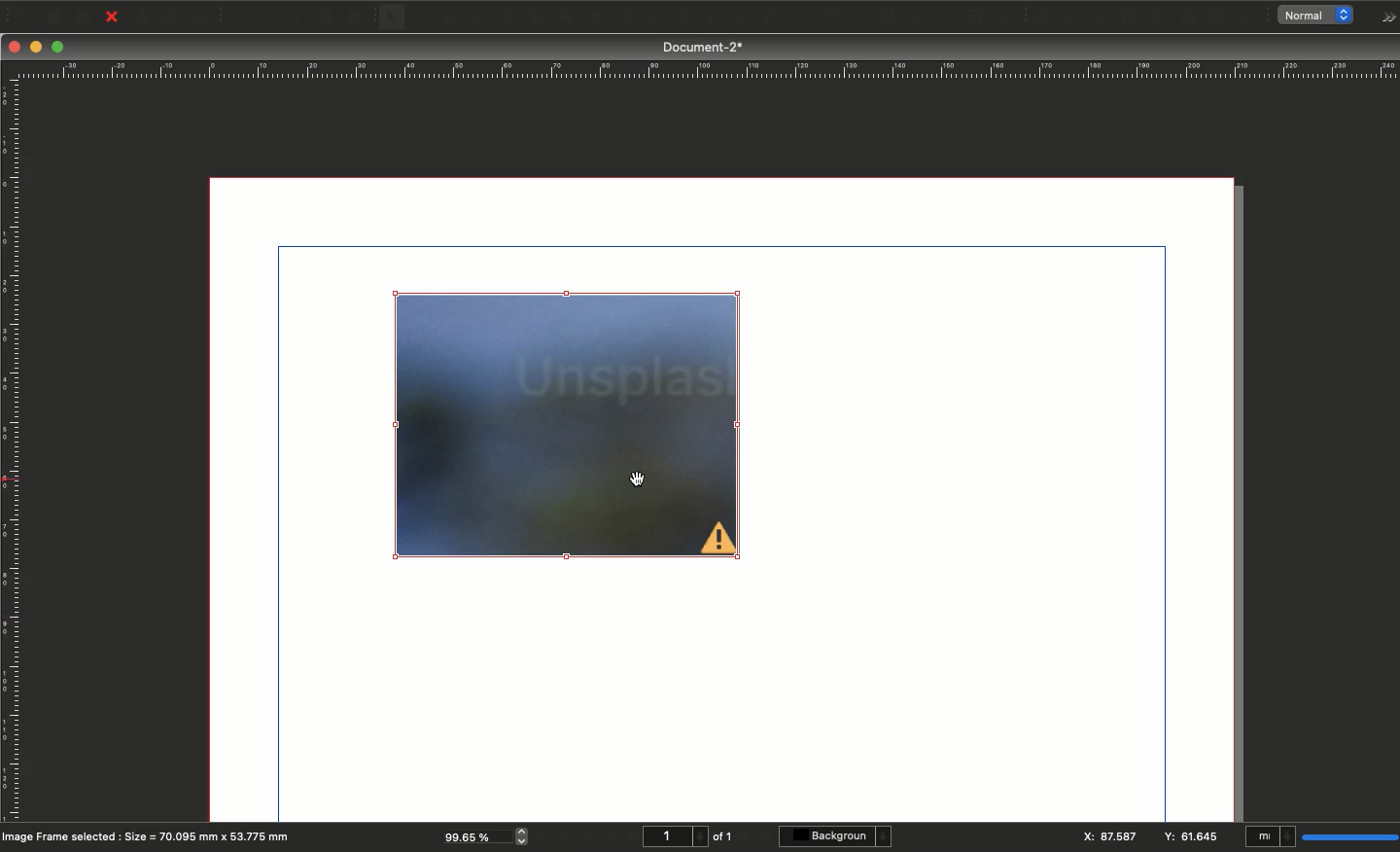 The width and height of the screenshot is (1400, 852). What do you see at coordinates (1384, 18) in the screenshot?
I see `Options` at bounding box center [1384, 18].